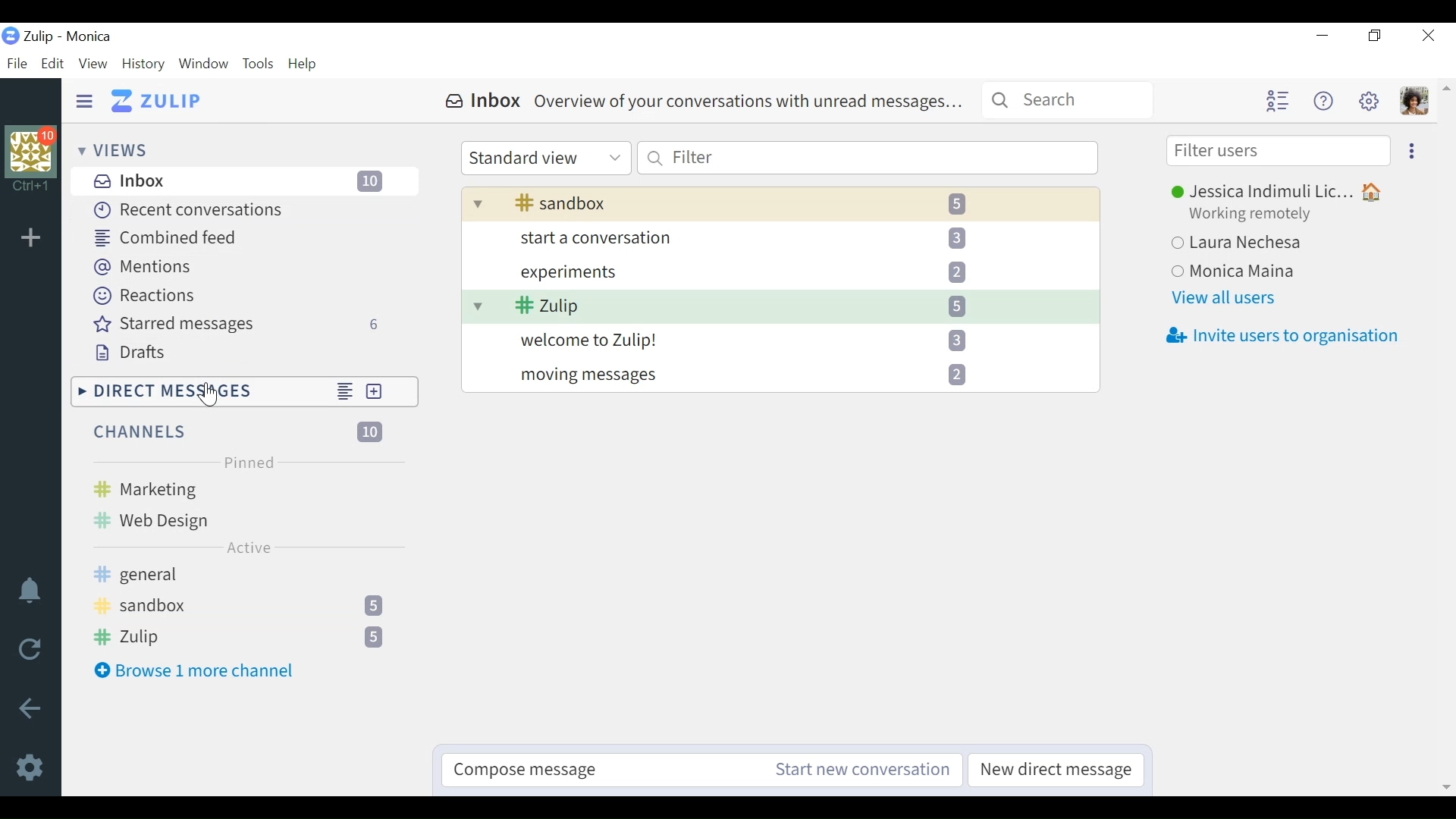 This screenshot has height=819, width=1456. I want to click on Channel, so click(246, 505).